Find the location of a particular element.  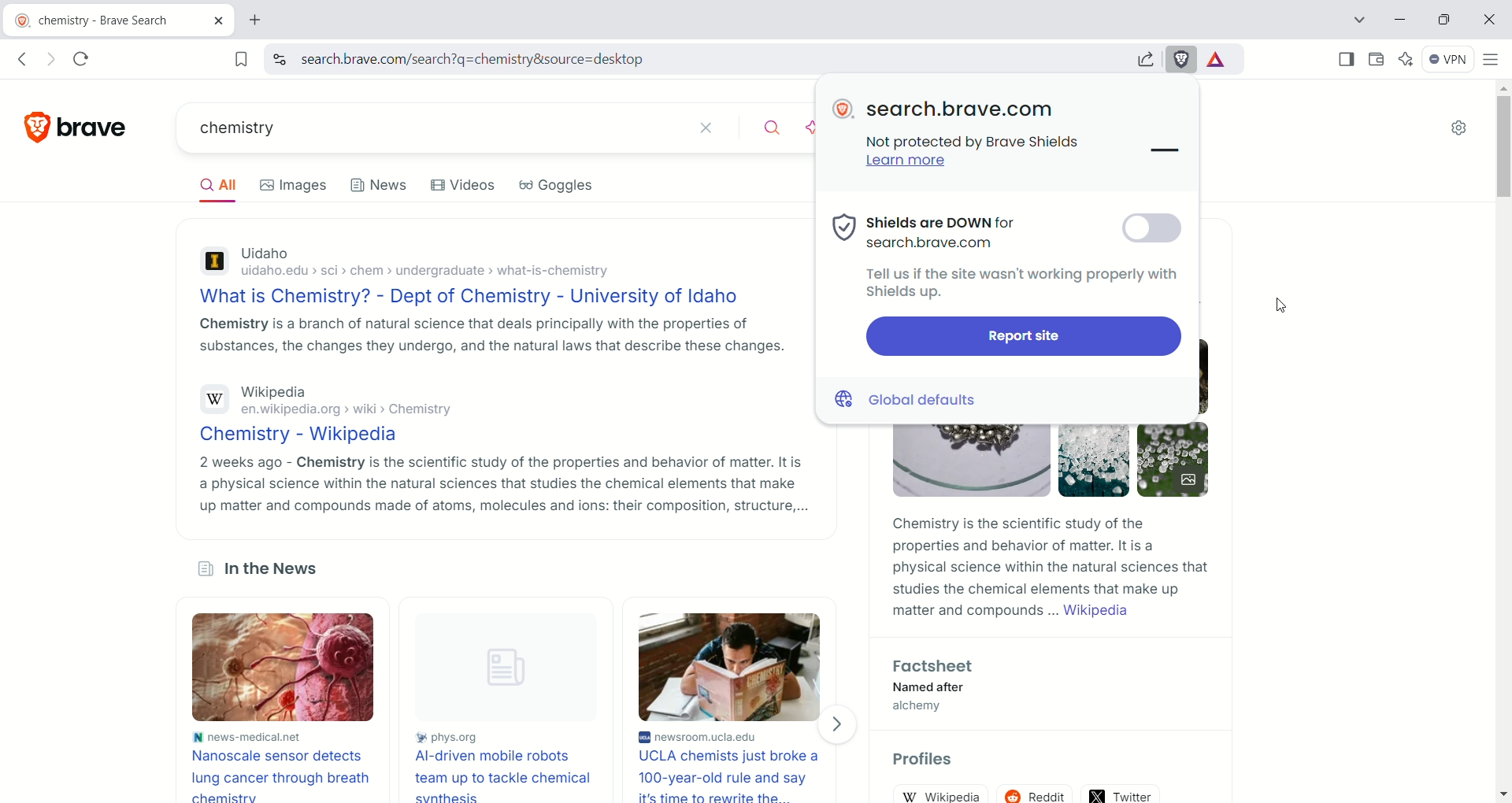

Videos is located at coordinates (467, 184).